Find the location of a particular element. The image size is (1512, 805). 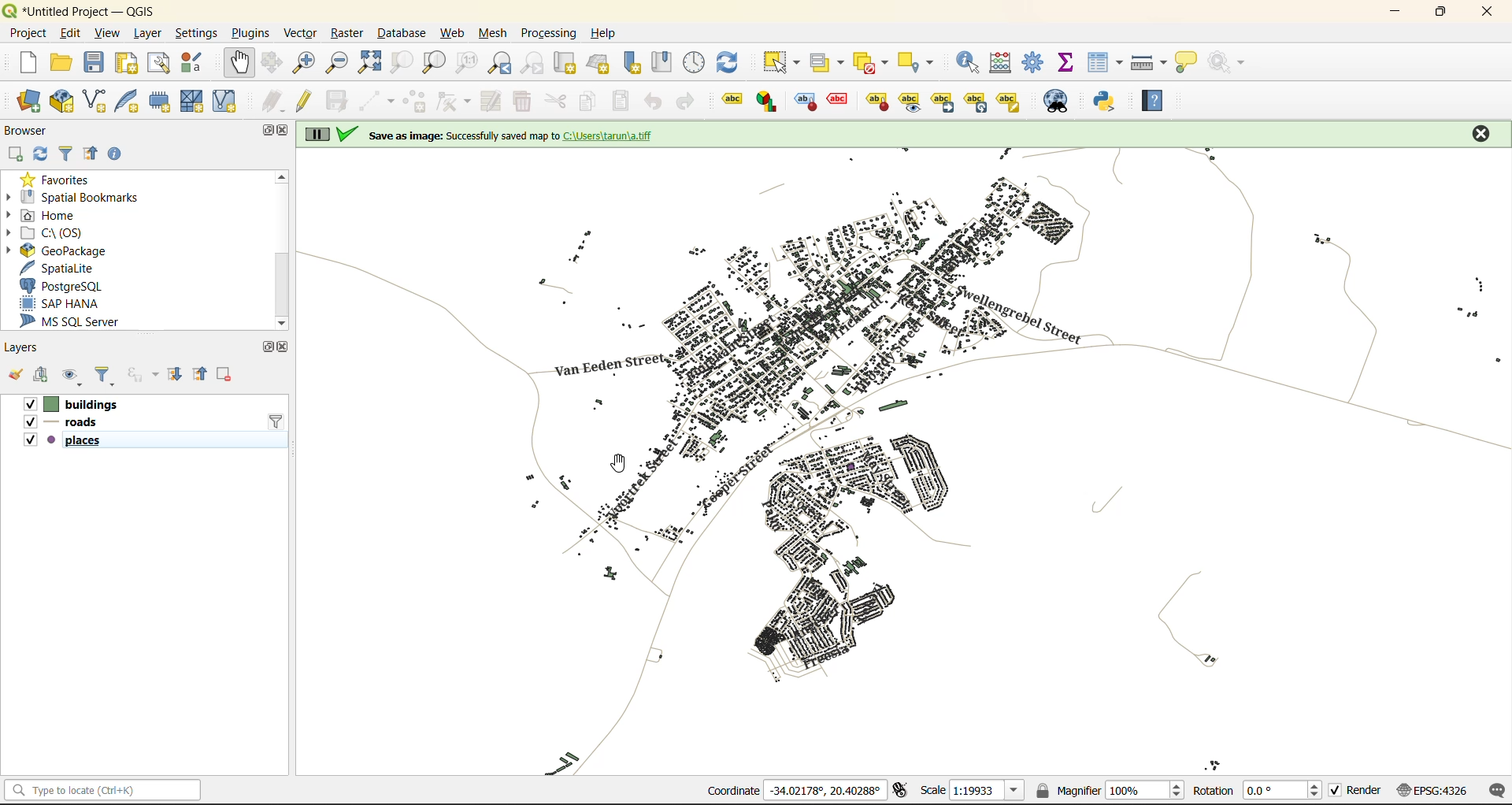

collapse all is located at coordinates (91, 155).